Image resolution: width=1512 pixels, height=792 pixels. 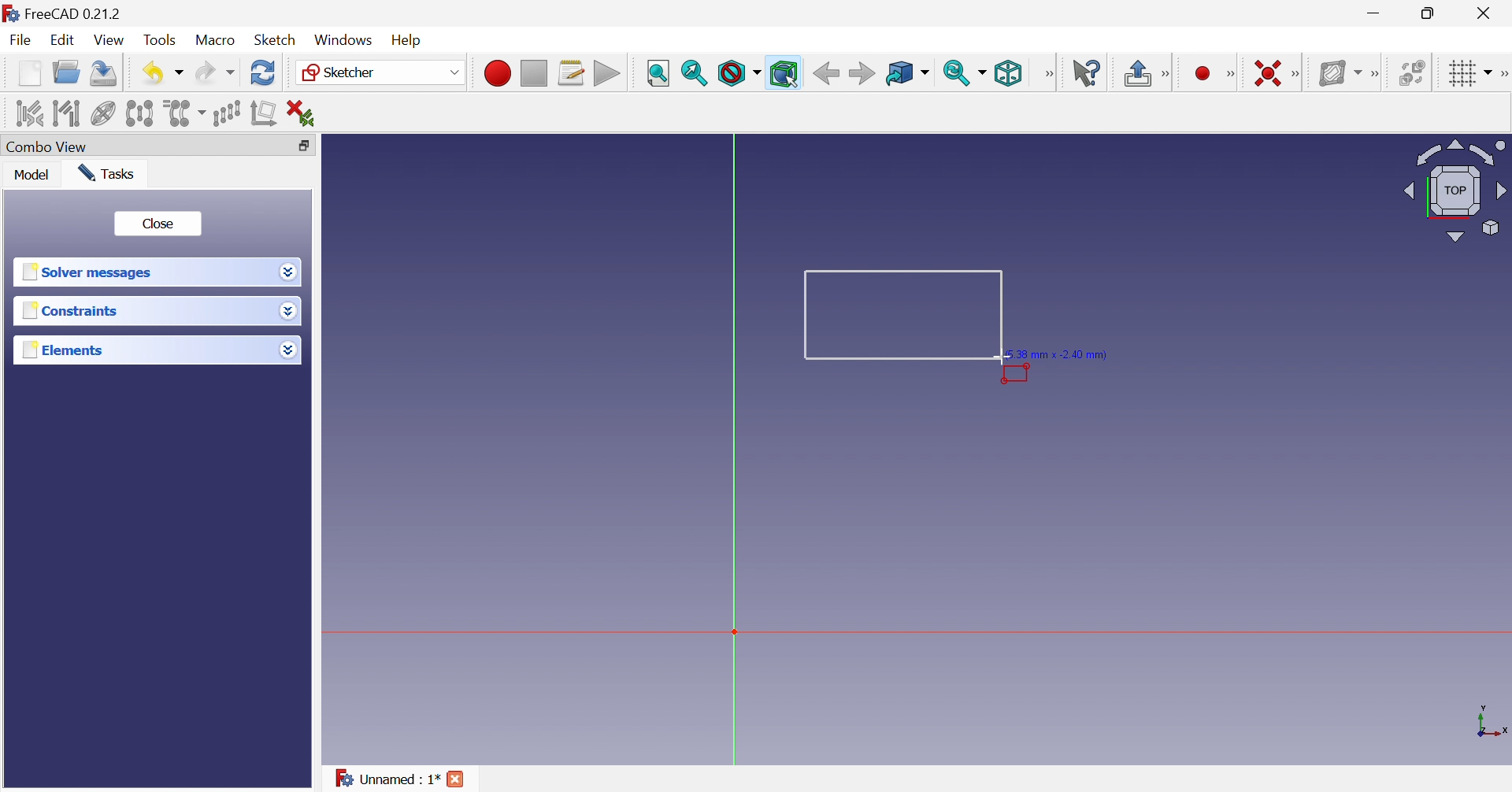 What do you see at coordinates (1484, 13) in the screenshot?
I see `Close` at bounding box center [1484, 13].